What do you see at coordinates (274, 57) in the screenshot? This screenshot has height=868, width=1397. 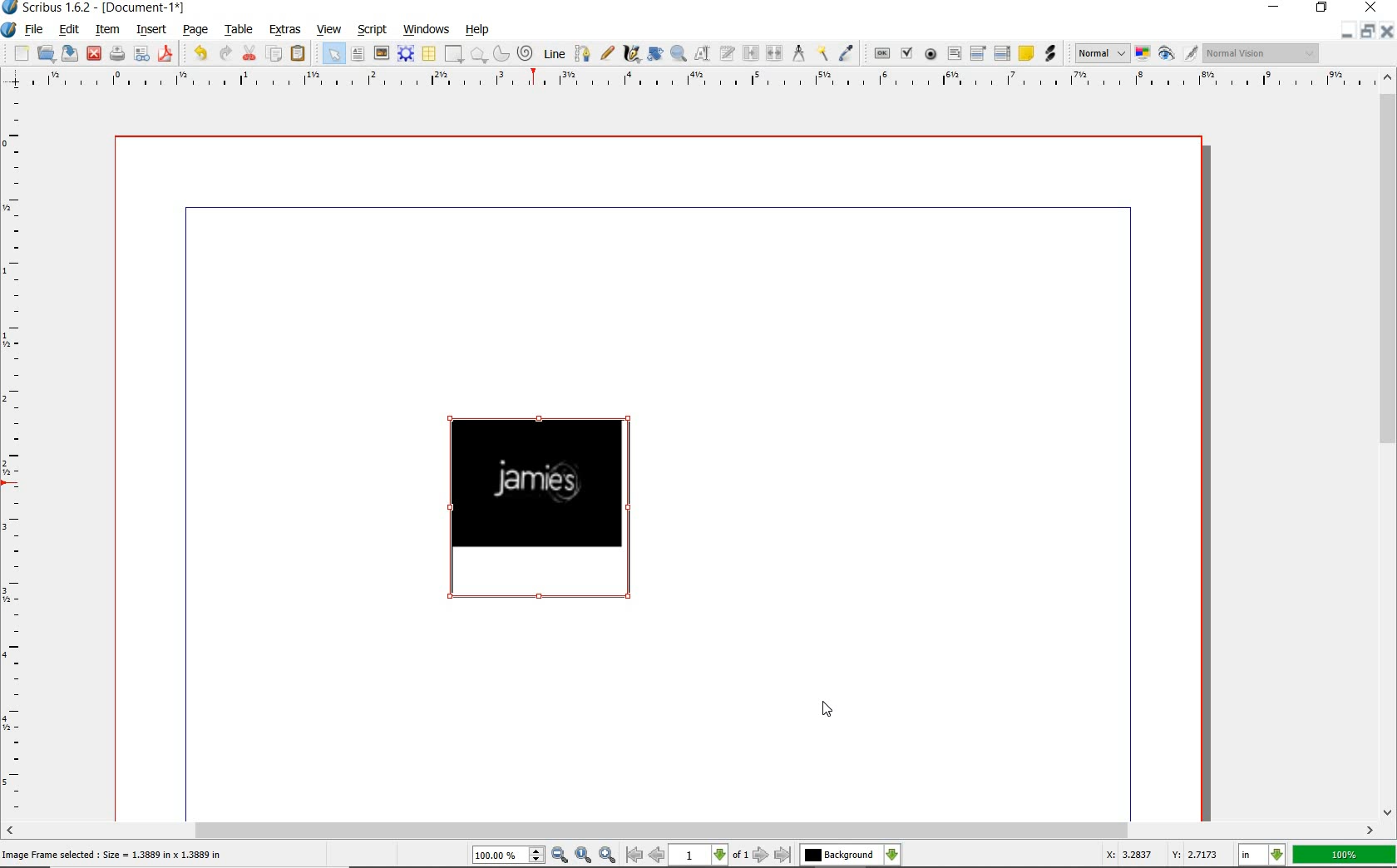 I see `COPY` at bounding box center [274, 57].